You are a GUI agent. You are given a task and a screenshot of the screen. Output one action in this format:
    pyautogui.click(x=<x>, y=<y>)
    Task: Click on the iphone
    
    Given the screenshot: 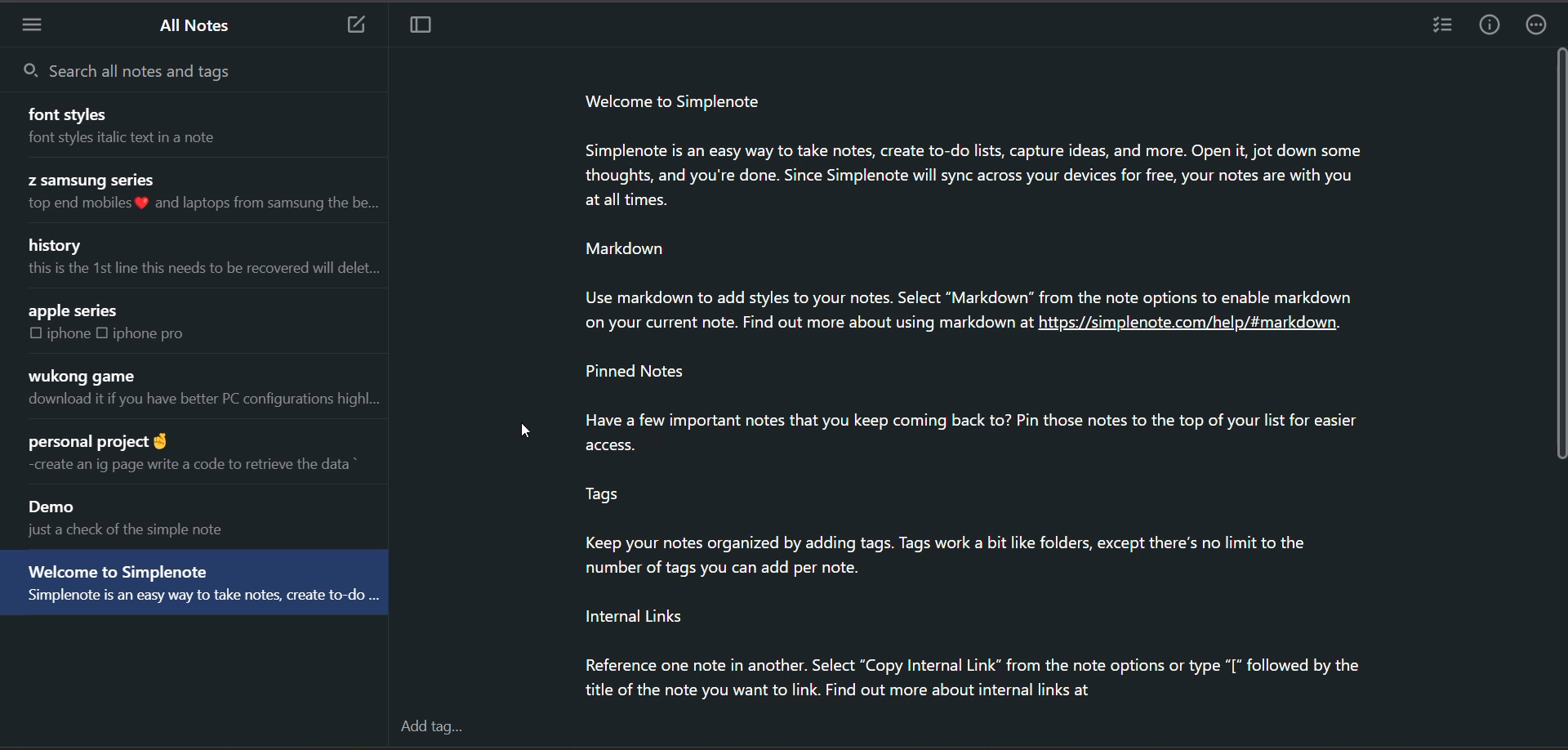 What is the action you would take?
    pyautogui.click(x=70, y=336)
    